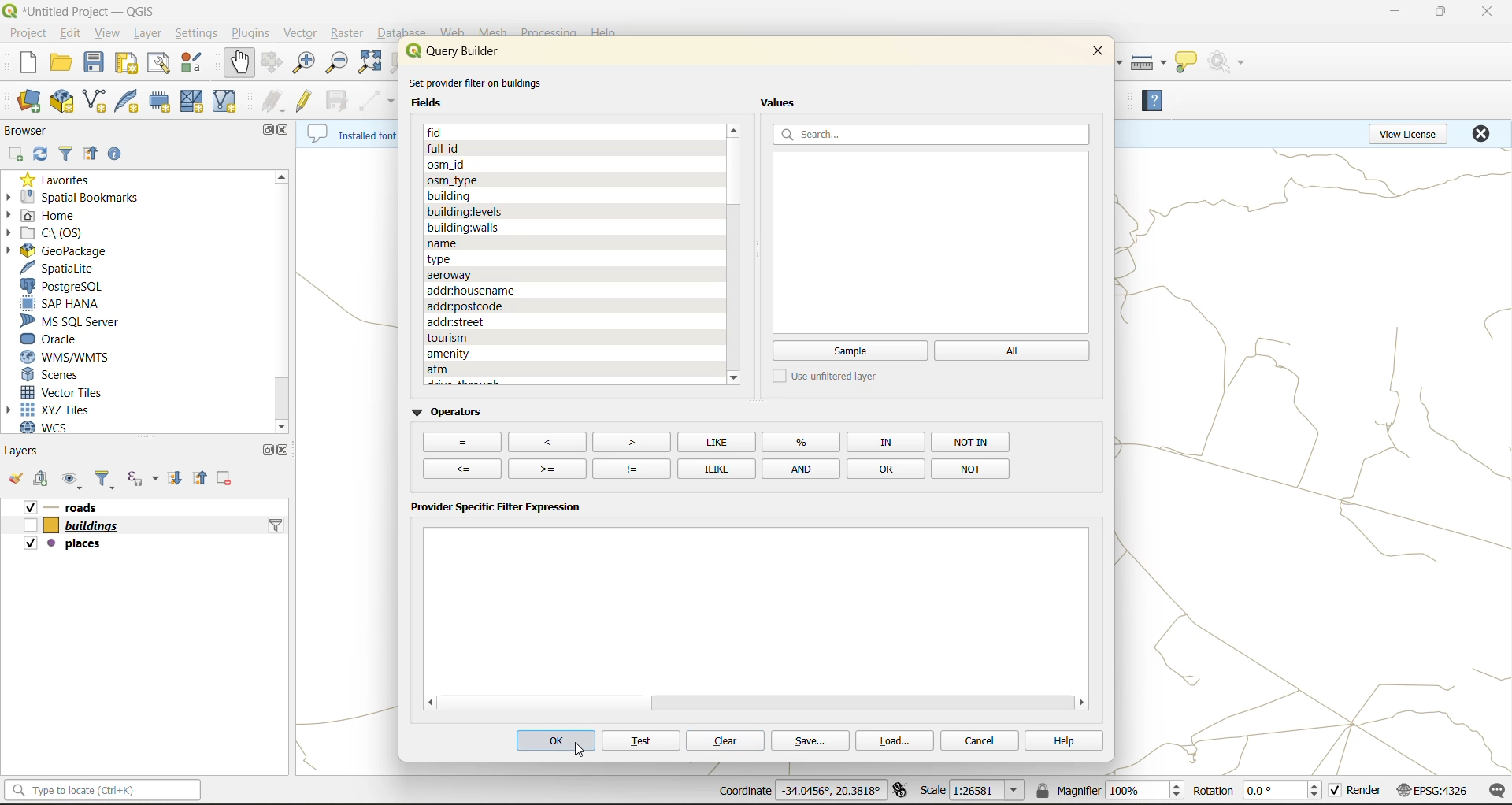  What do you see at coordinates (302, 63) in the screenshot?
I see `zoom in` at bounding box center [302, 63].